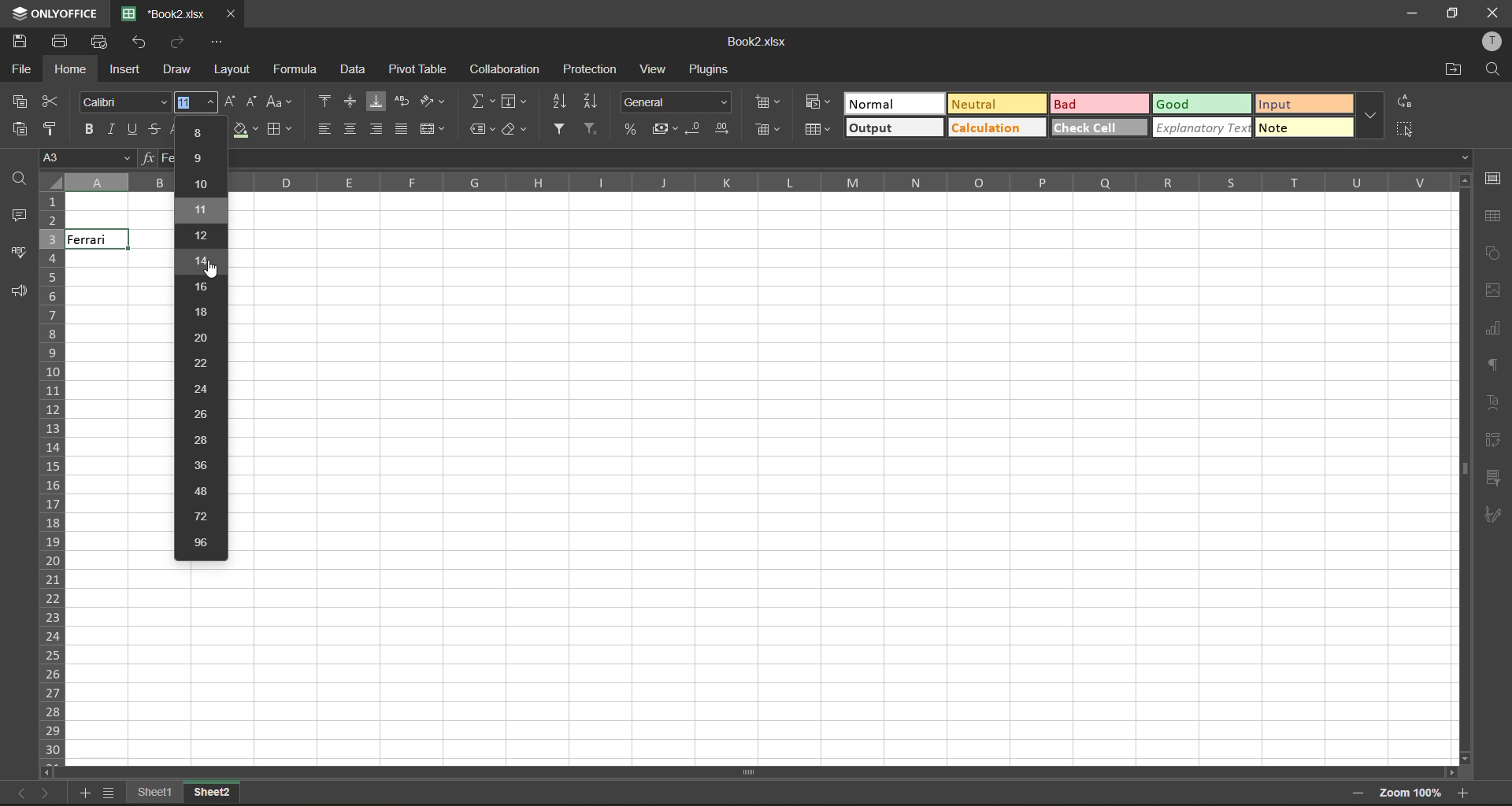  Describe the element at coordinates (298, 71) in the screenshot. I see `formula` at that location.